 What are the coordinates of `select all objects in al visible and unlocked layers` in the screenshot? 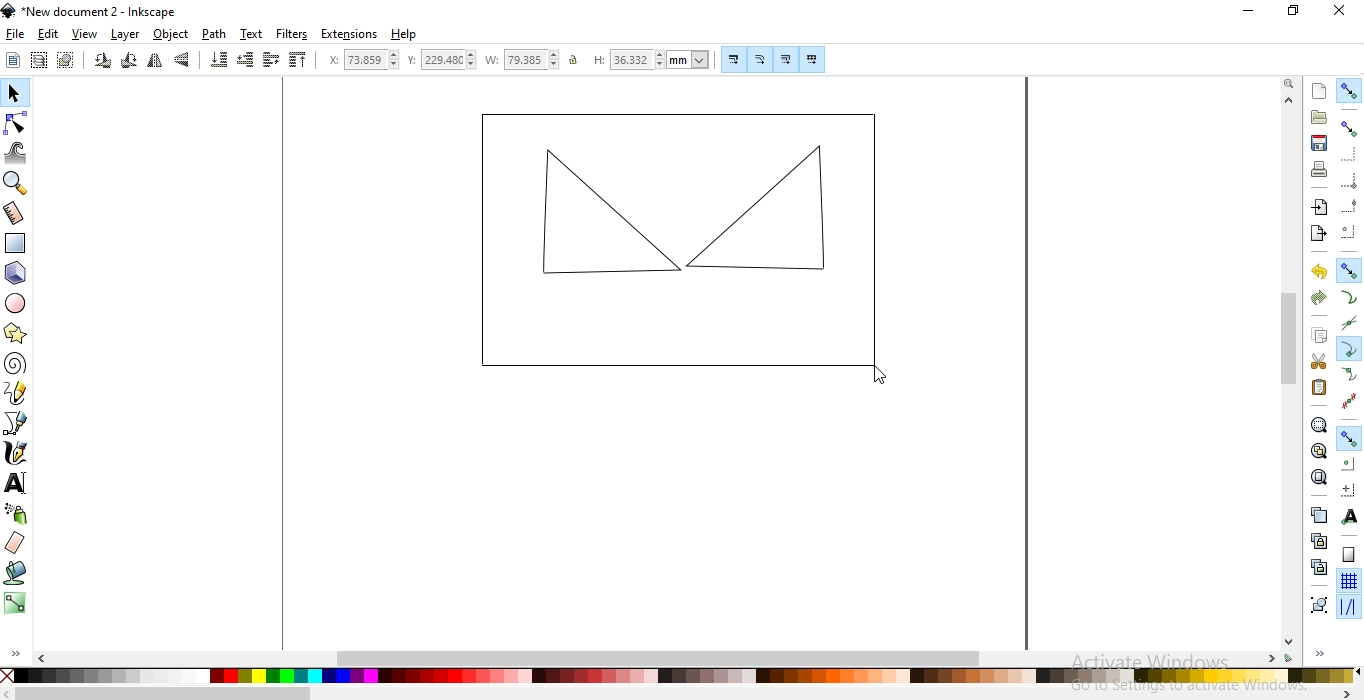 It's located at (38, 62).